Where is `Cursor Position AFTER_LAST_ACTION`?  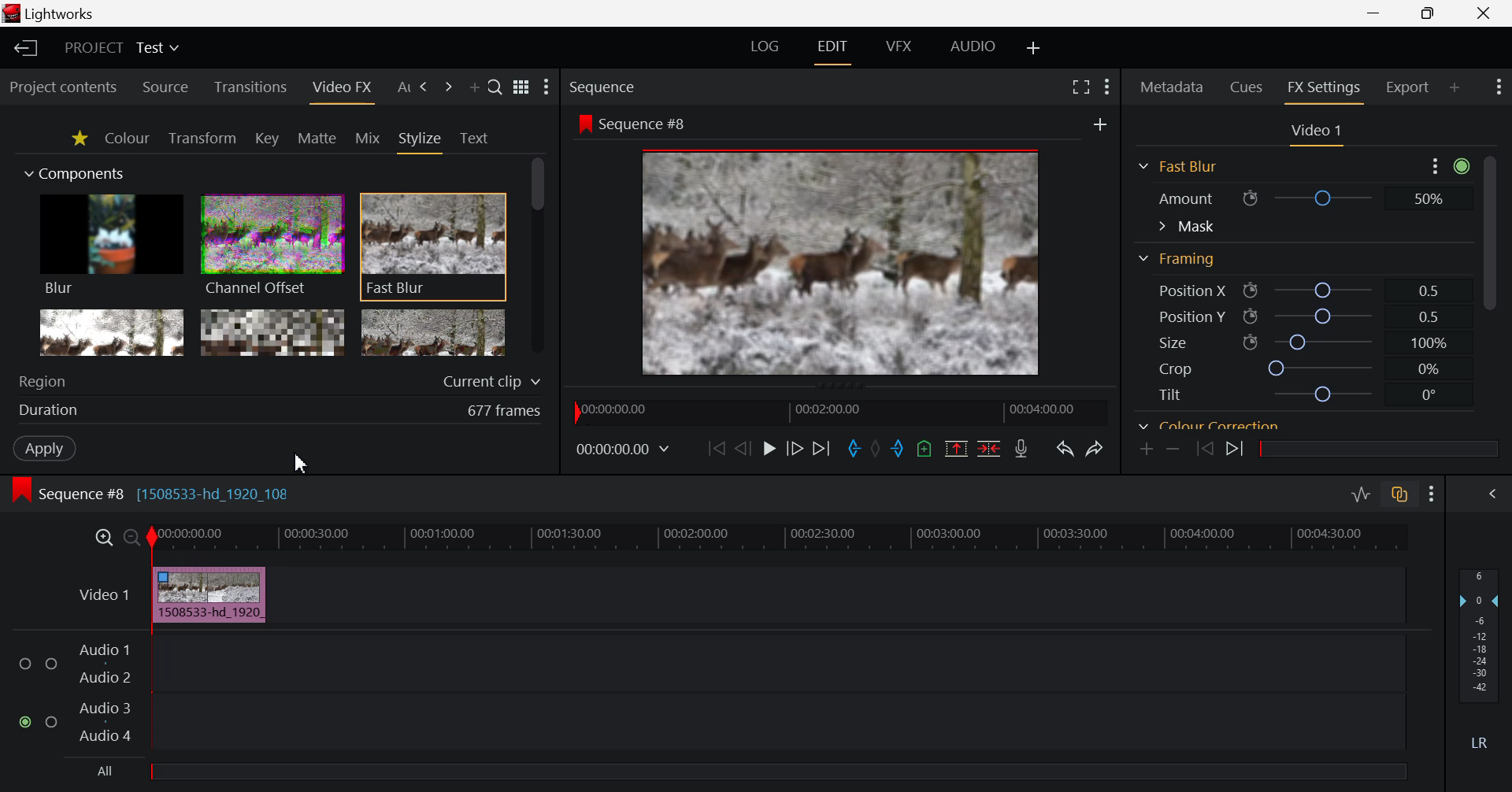 Cursor Position AFTER_LAST_ACTION is located at coordinates (302, 468).